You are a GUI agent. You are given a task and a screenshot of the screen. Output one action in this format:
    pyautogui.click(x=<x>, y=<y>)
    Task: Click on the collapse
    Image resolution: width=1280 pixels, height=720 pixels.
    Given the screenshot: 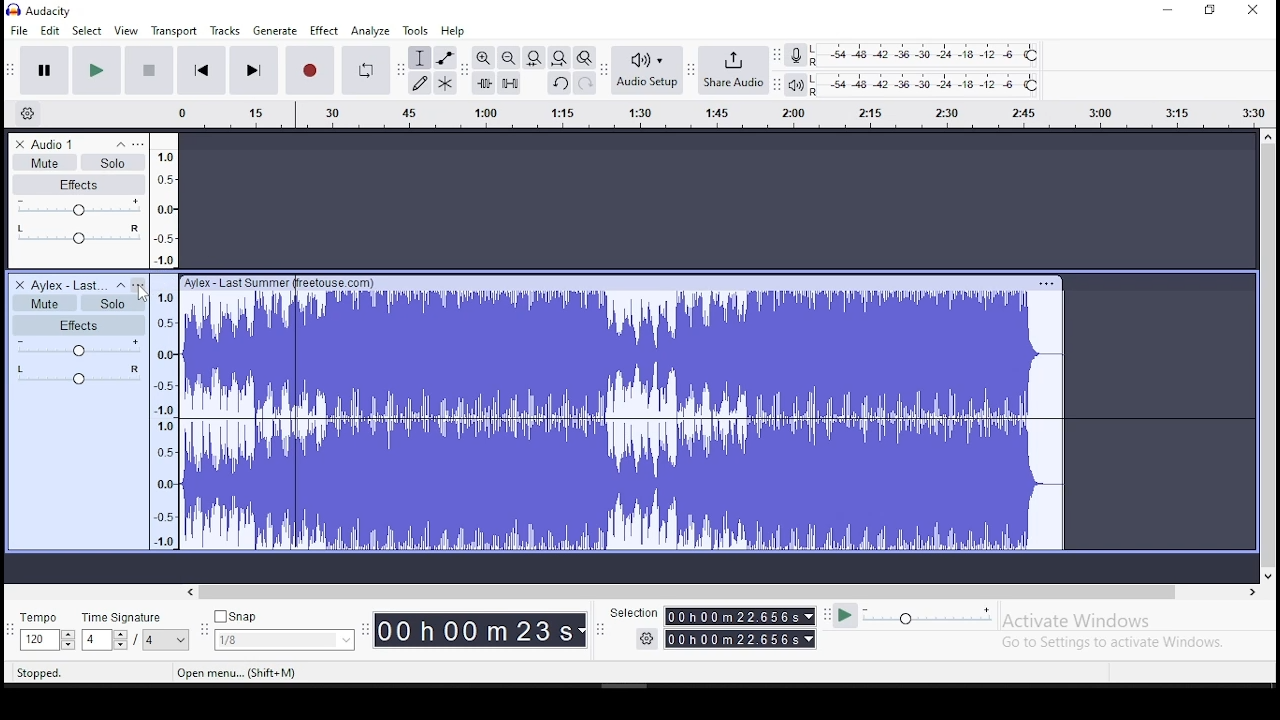 What is the action you would take?
    pyautogui.click(x=120, y=285)
    